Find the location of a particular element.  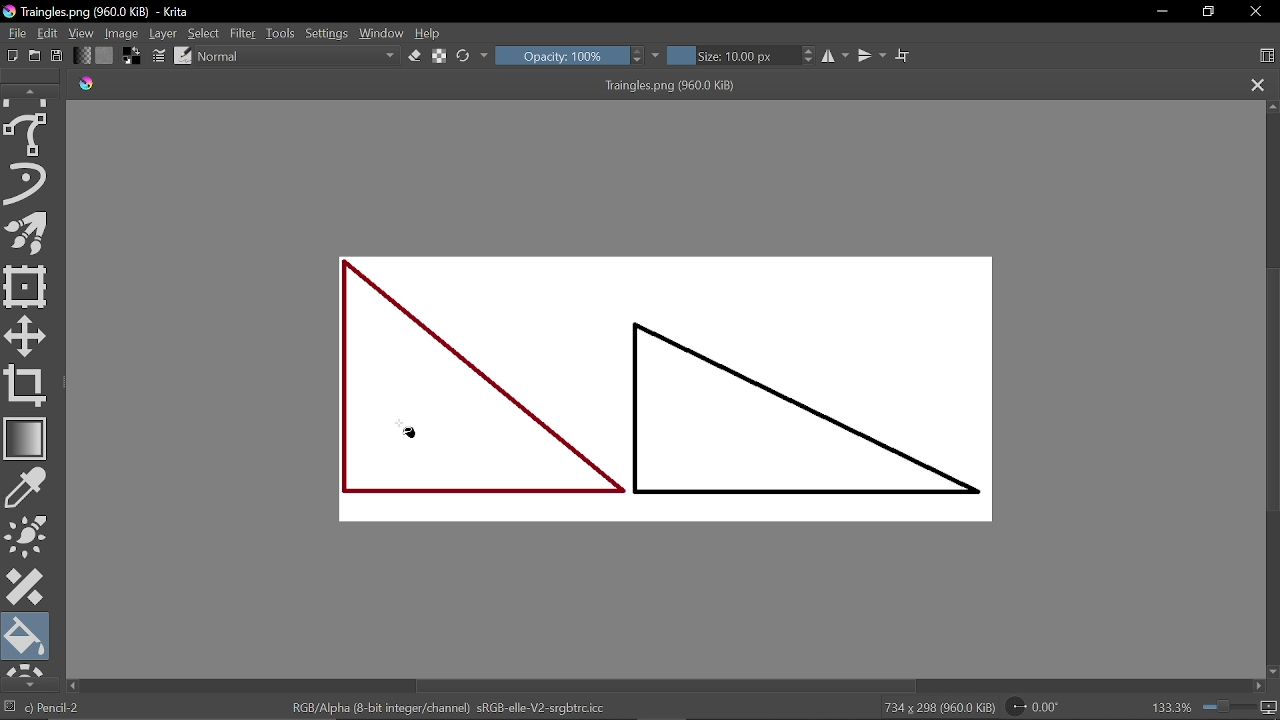

Restore down is located at coordinates (1206, 11).